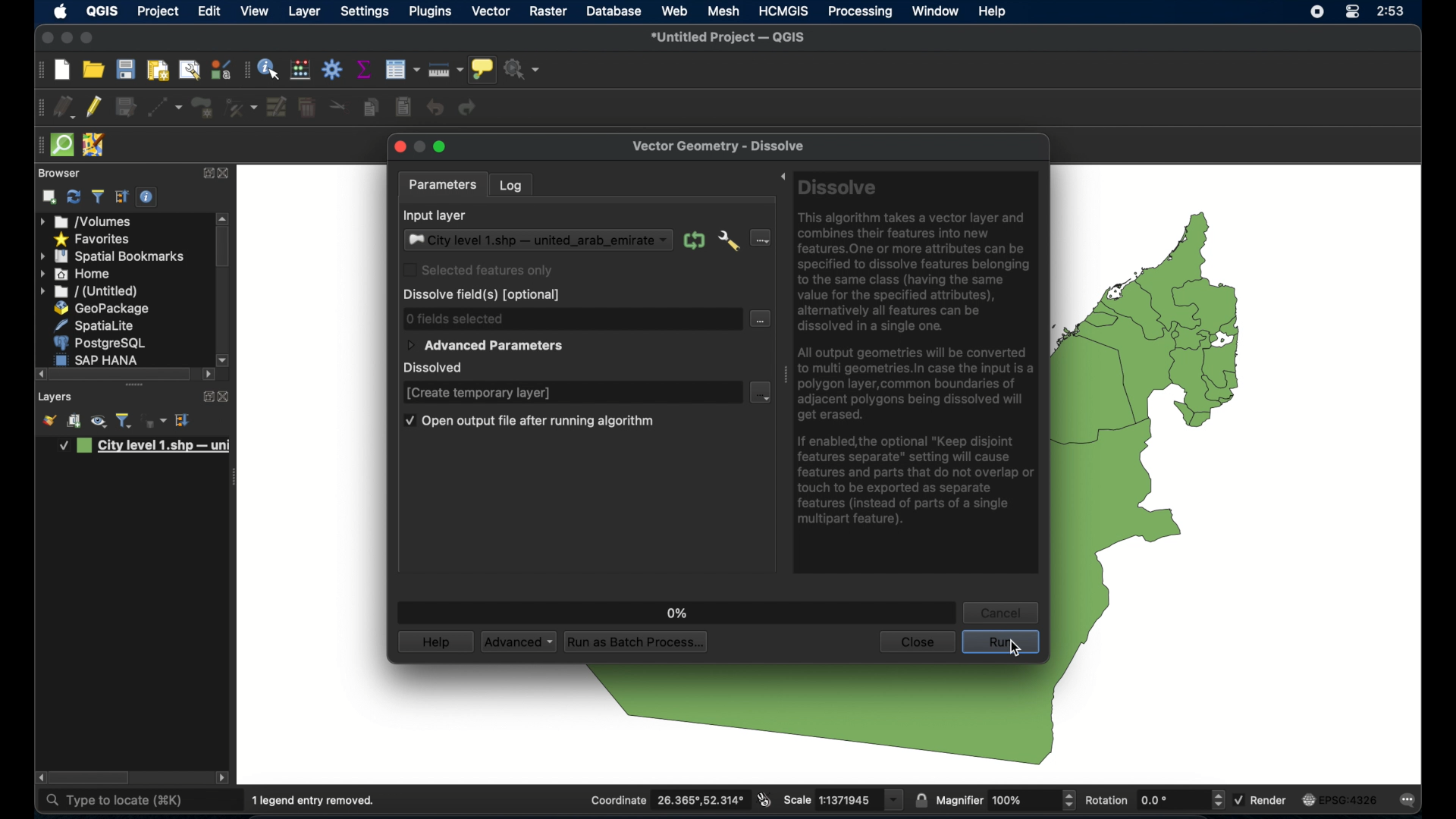 This screenshot has height=819, width=1456. I want to click on advanced options, so click(729, 242).